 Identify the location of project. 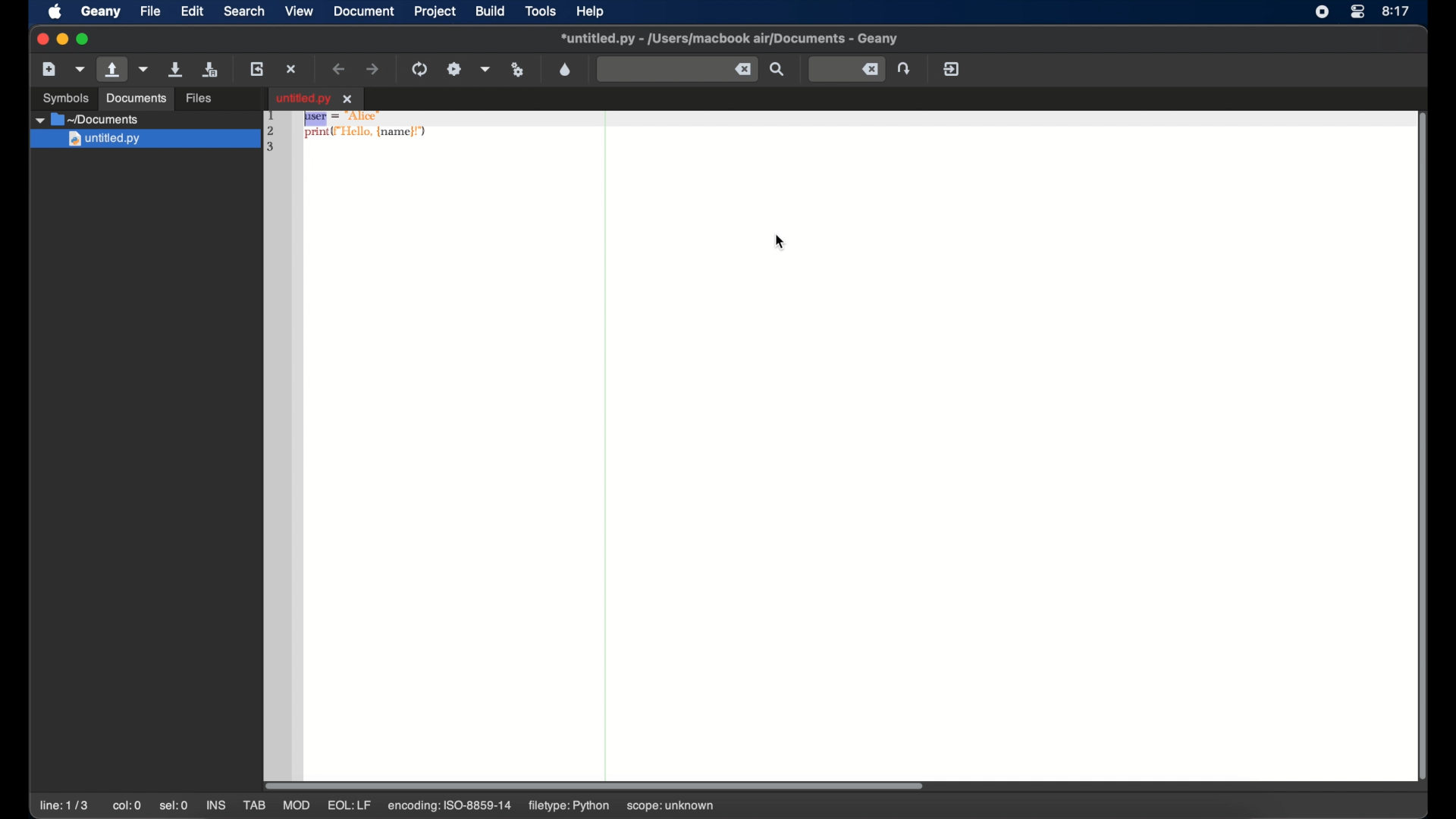
(435, 11).